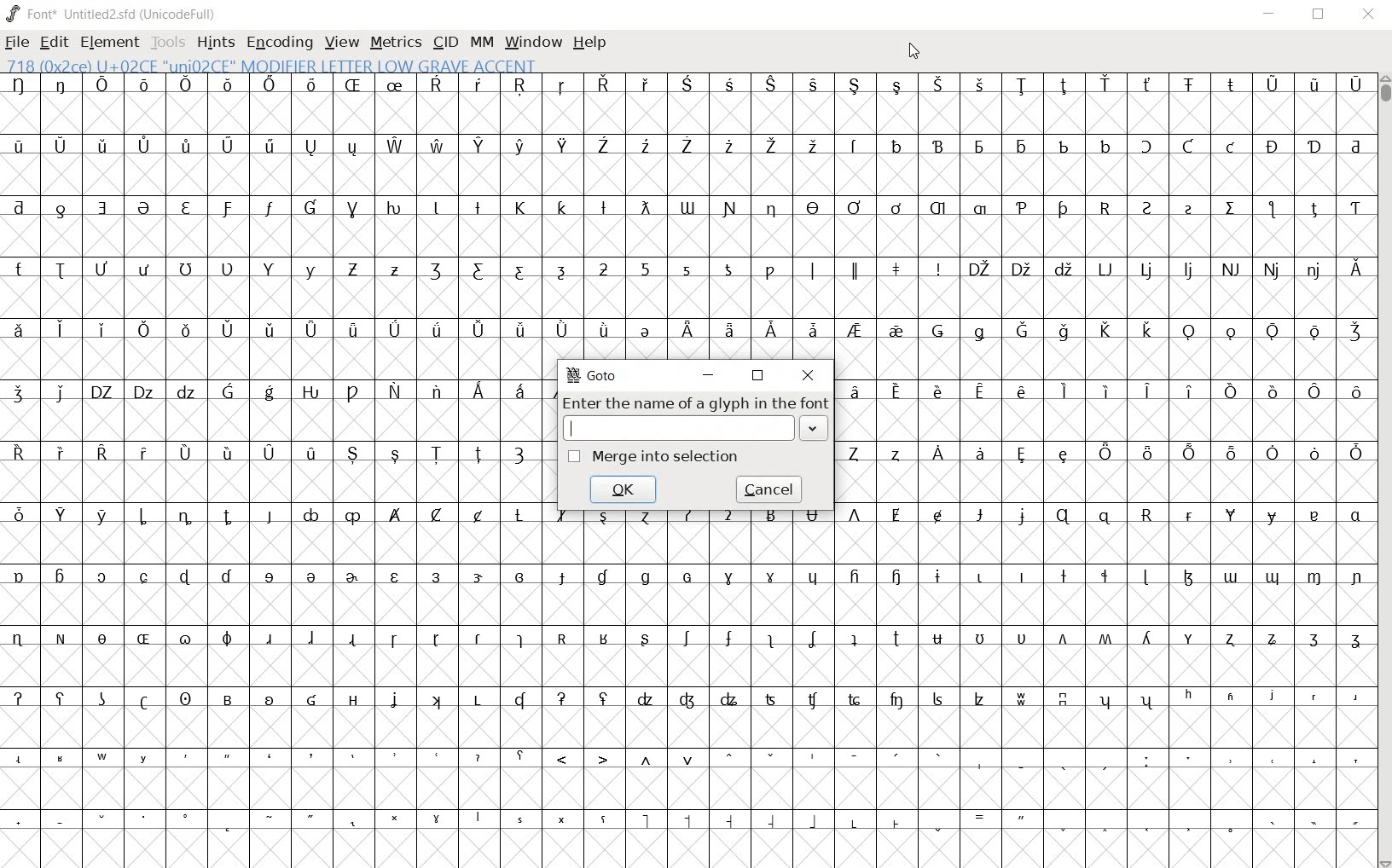 The width and height of the screenshot is (1392, 868). Describe the element at coordinates (1105, 442) in the screenshot. I see `glyph characters` at that location.